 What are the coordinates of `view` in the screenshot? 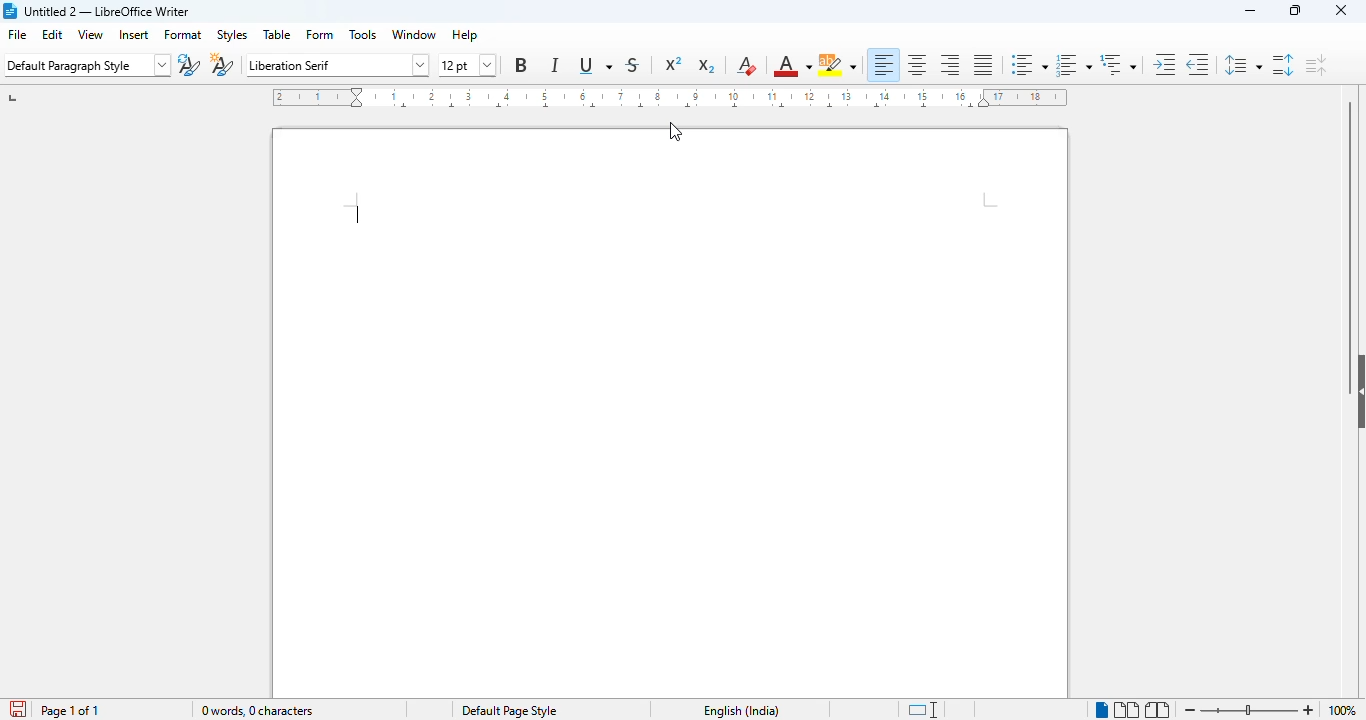 It's located at (90, 34).